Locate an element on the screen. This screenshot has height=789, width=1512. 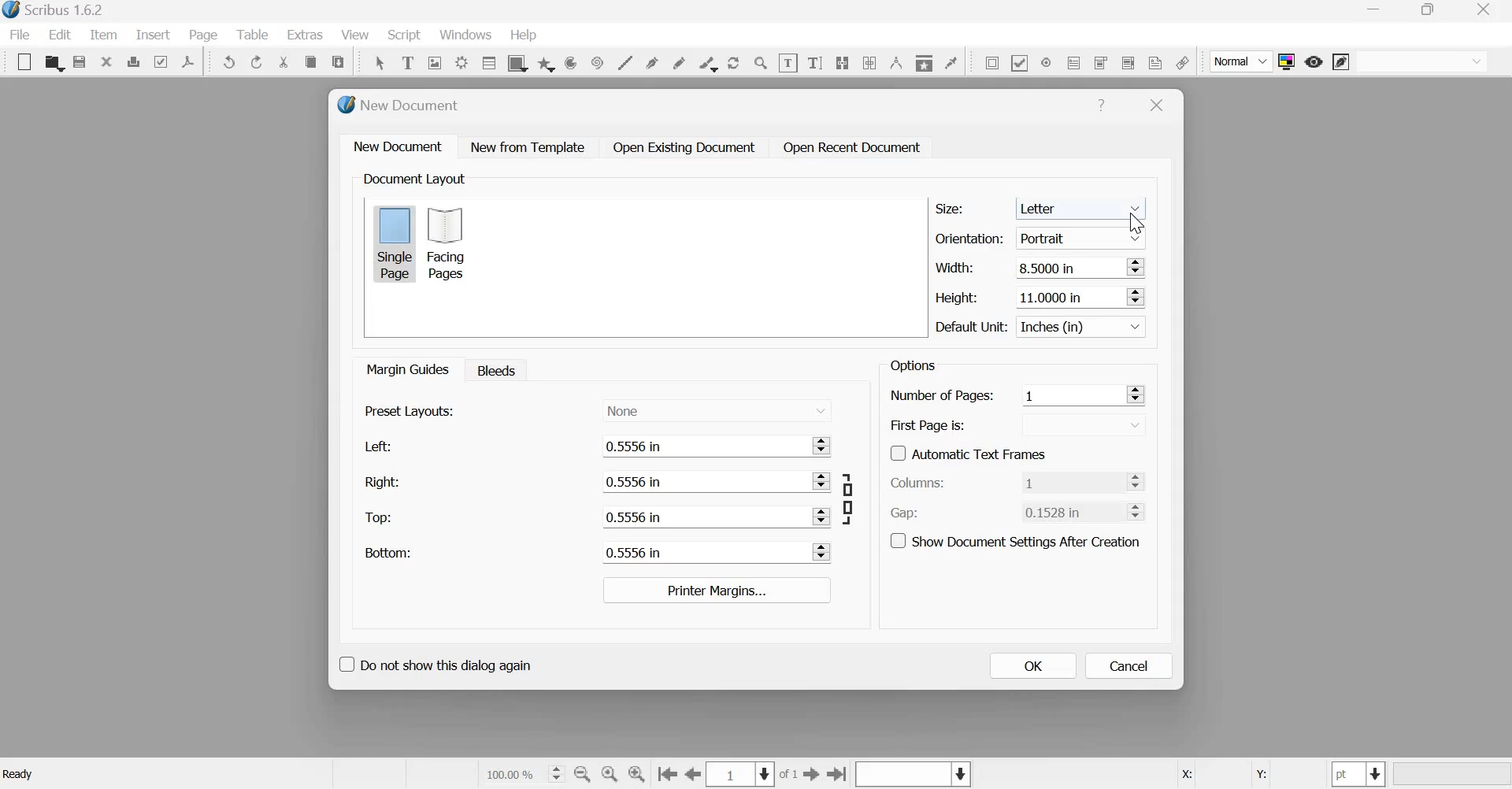
extras is located at coordinates (306, 35).